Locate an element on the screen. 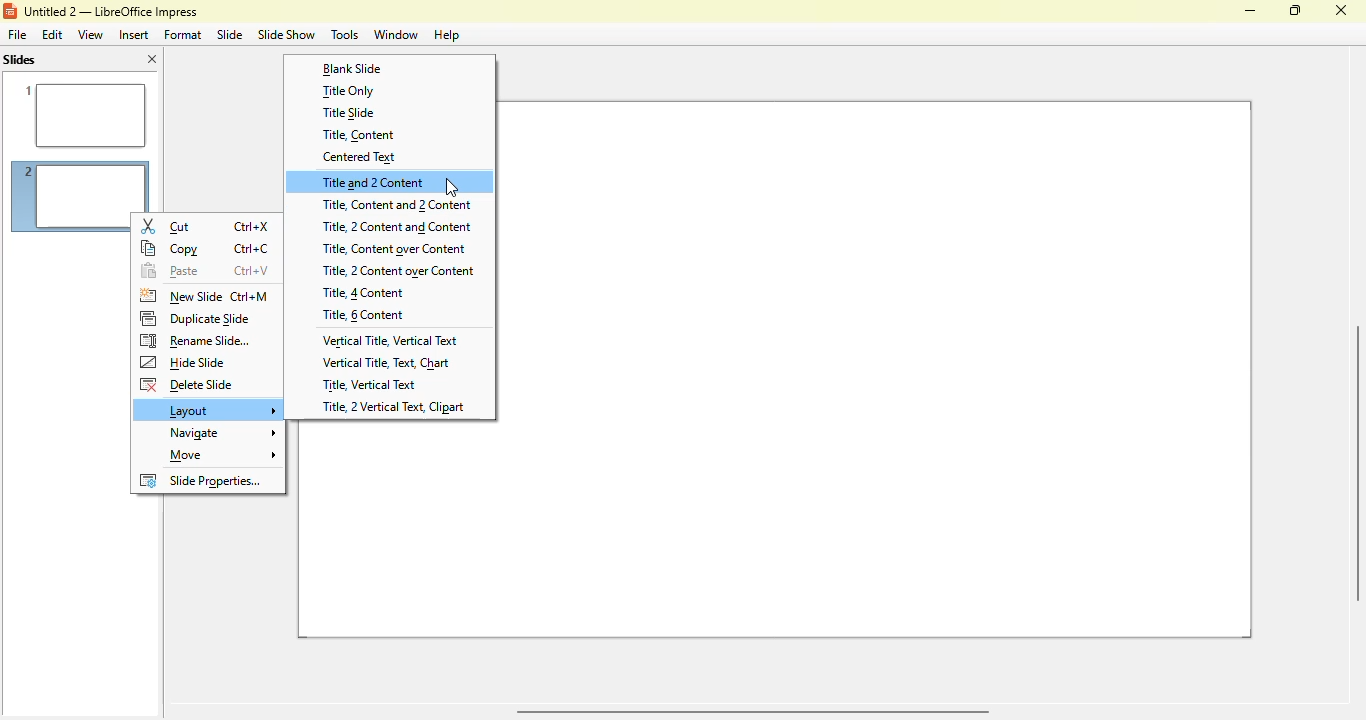 Image resolution: width=1366 pixels, height=720 pixels. title, content over content is located at coordinates (394, 249).